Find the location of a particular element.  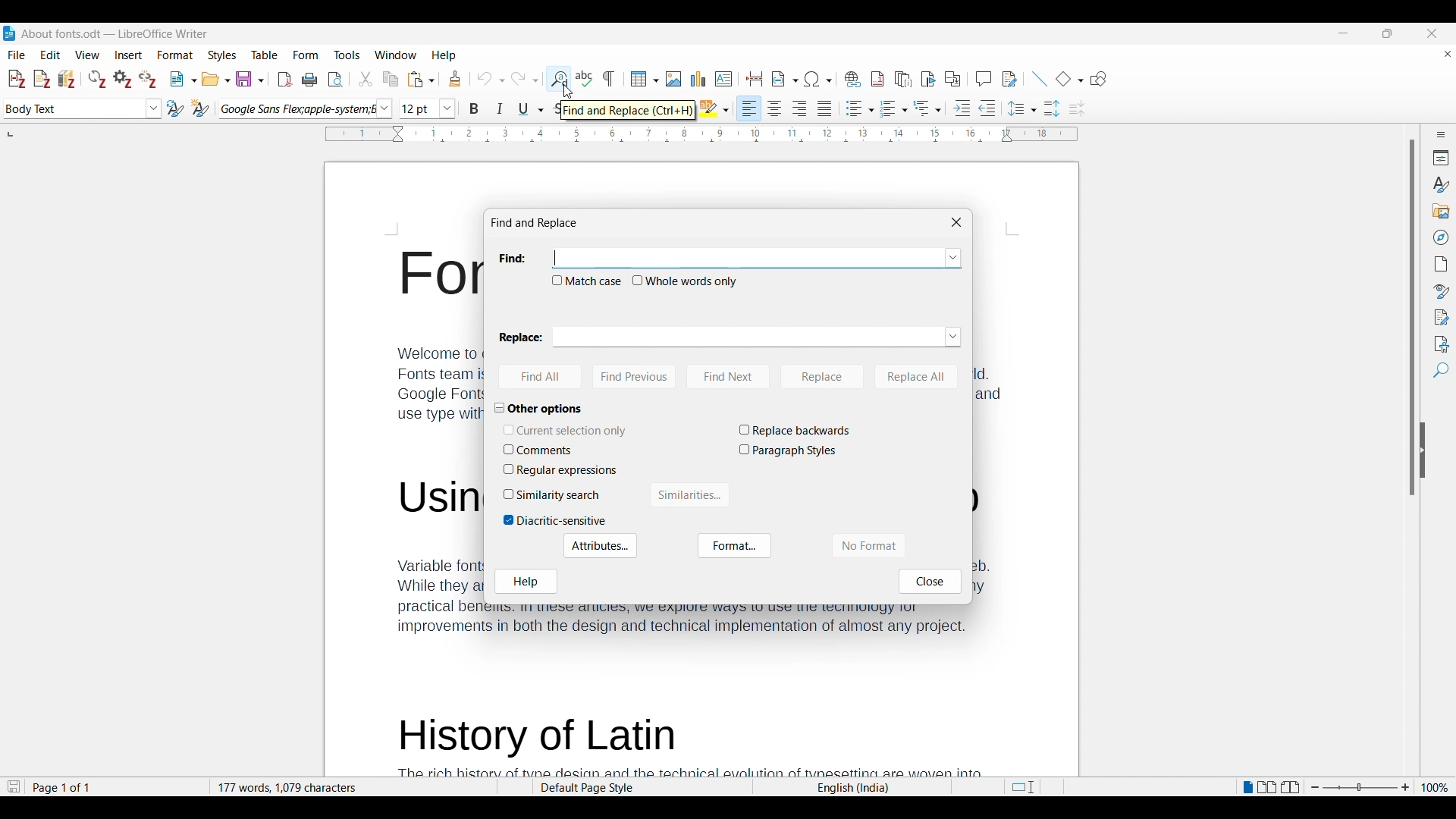

 is located at coordinates (721, 623).